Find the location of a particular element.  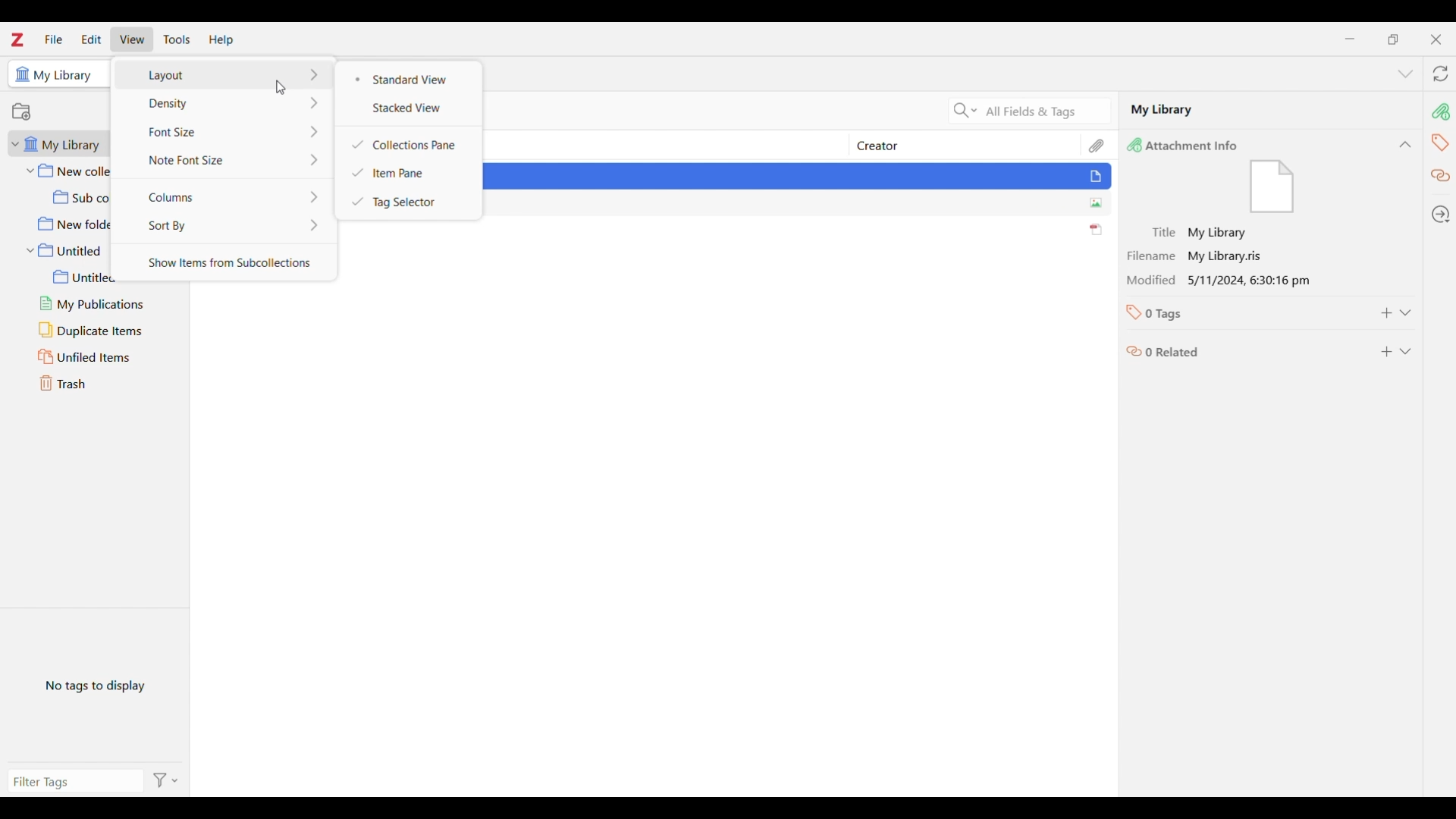

Column options is located at coordinates (224, 196).